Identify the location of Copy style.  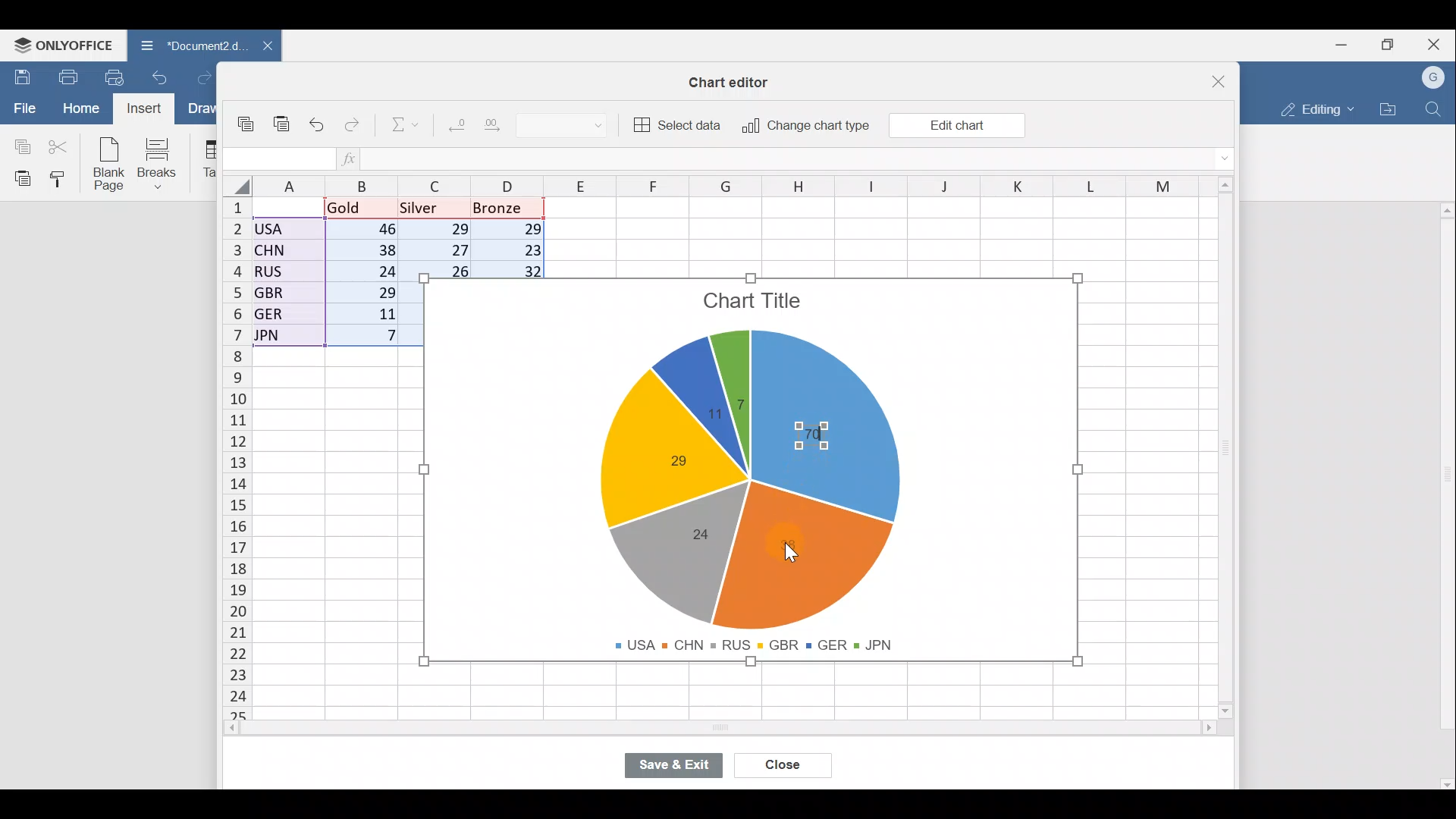
(64, 178).